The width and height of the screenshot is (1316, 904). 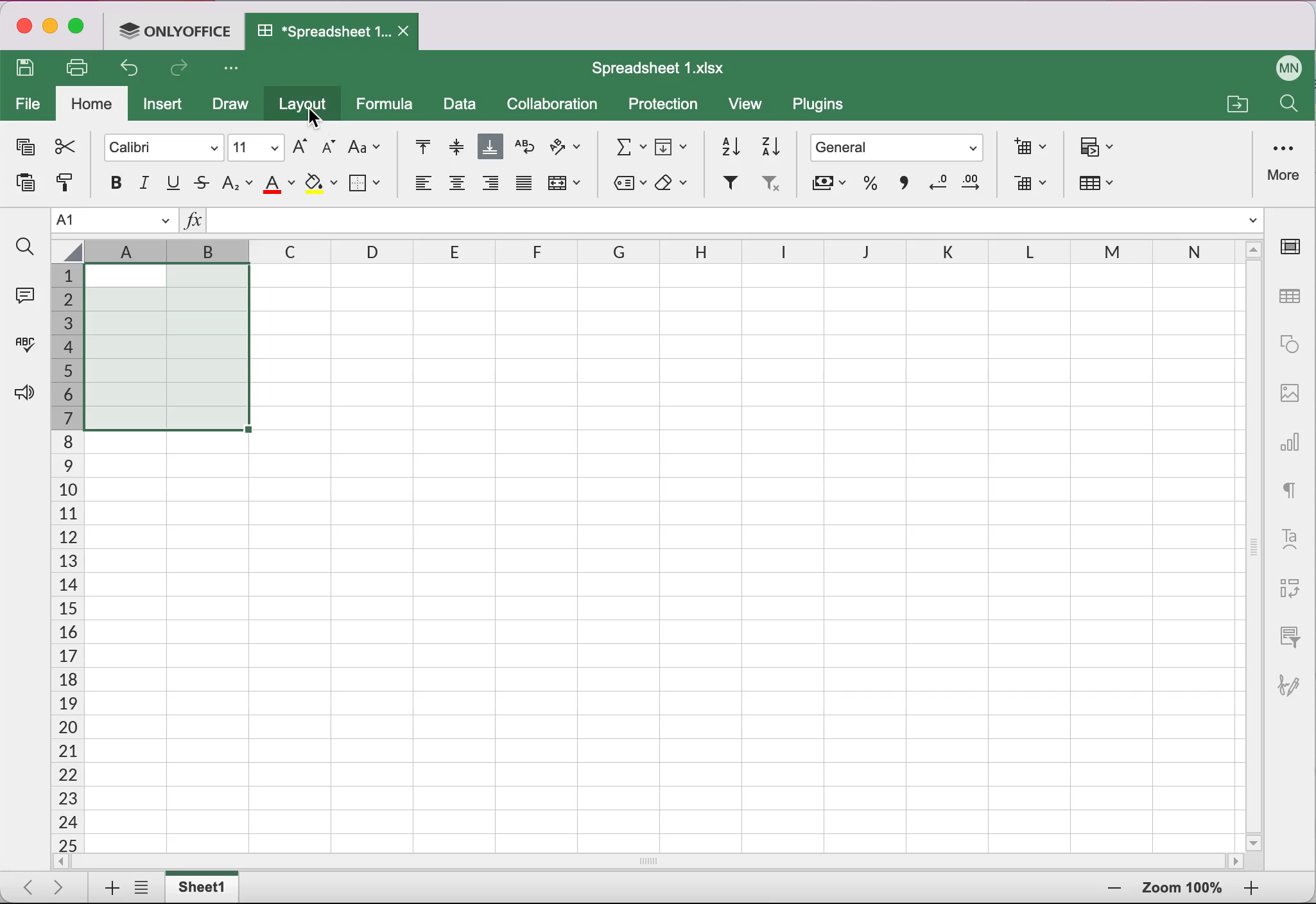 I want to click on orientation, so click(x=566, y=149).